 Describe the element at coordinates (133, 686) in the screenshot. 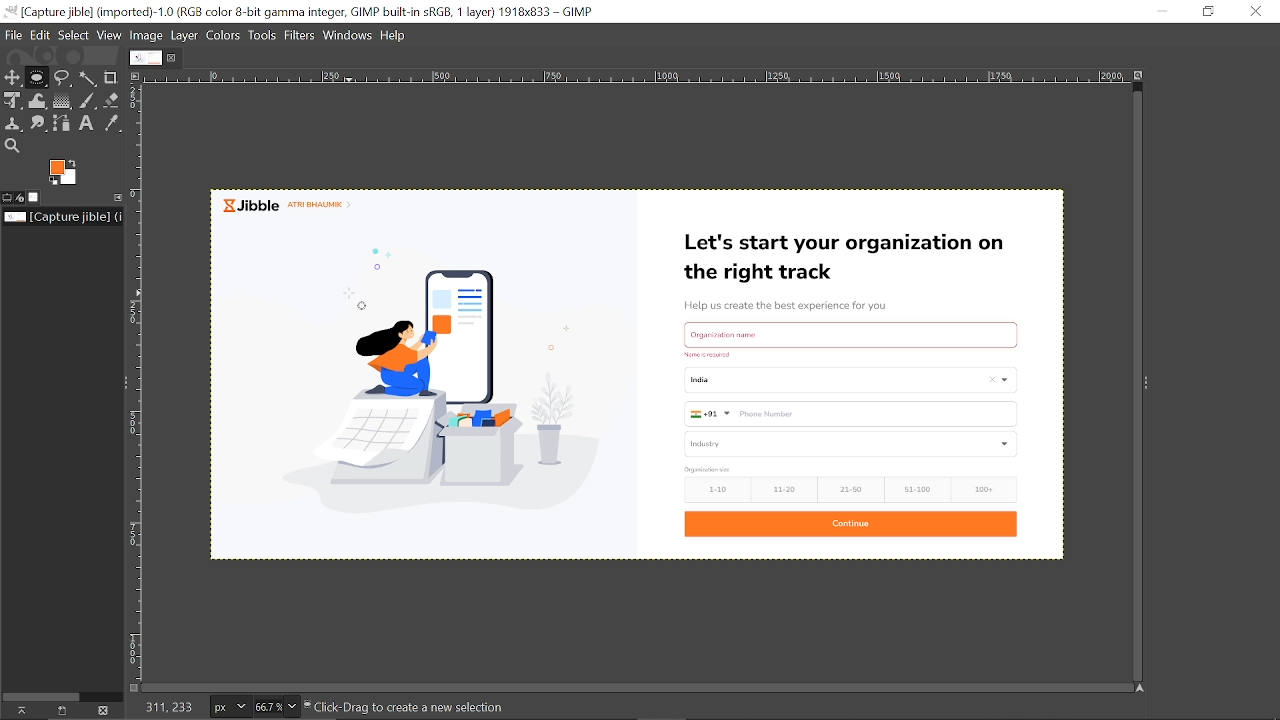

I see `Toggle quick mask on/off` at that location.